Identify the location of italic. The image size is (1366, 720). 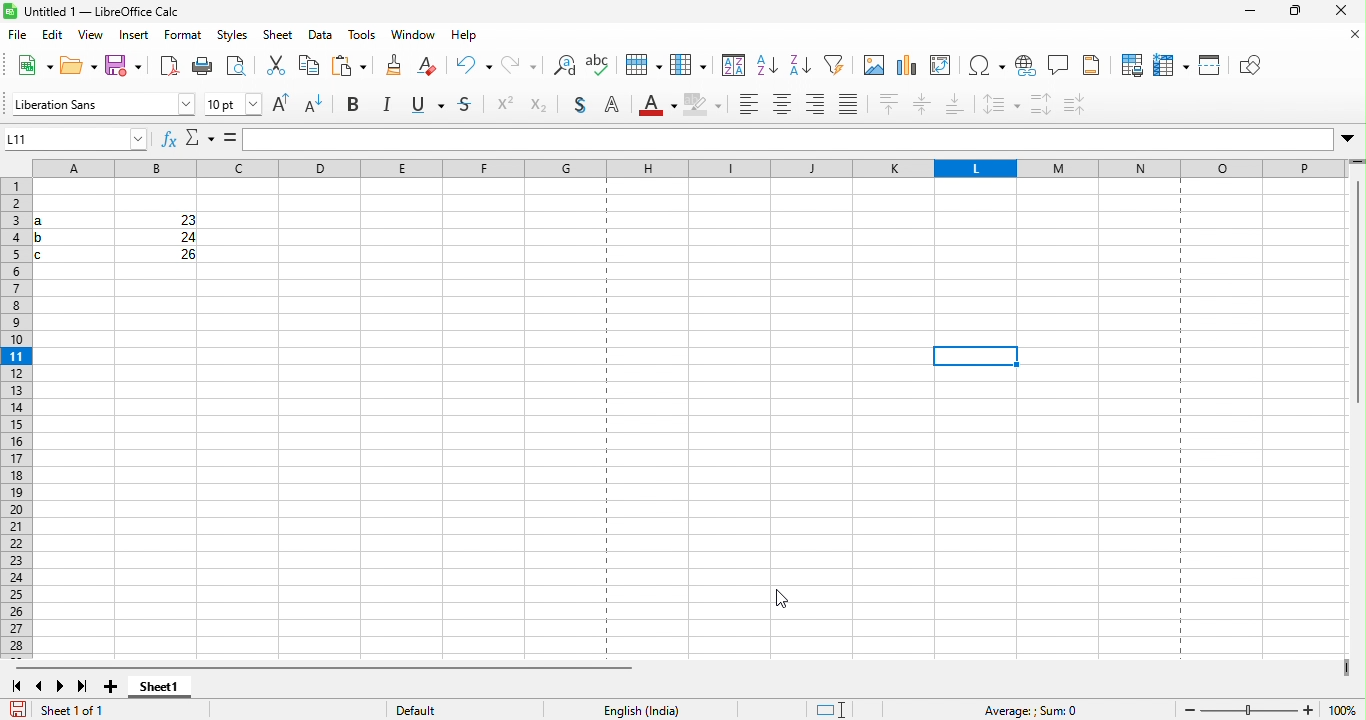
(391, 106).